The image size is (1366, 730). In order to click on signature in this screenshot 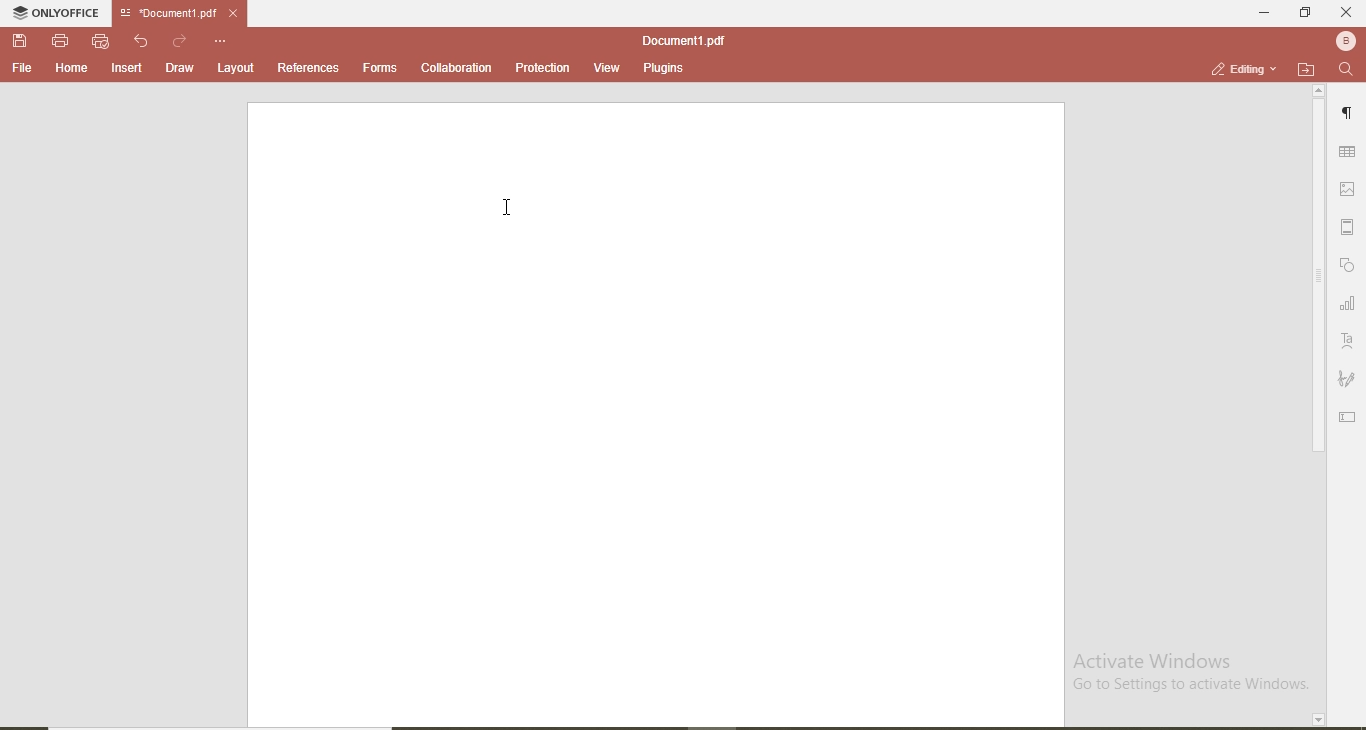, I will do `click(1349, 381)`.